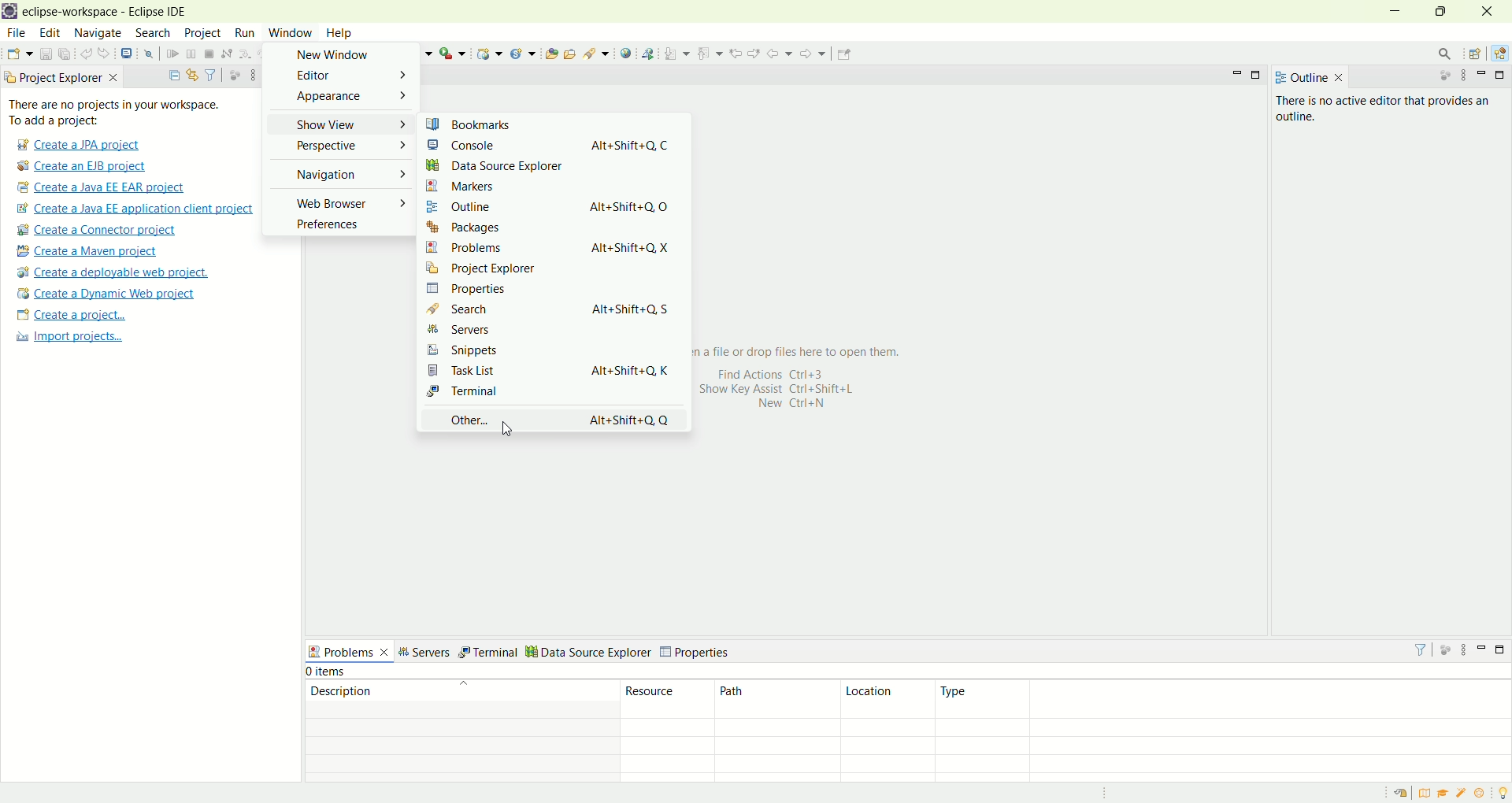 The width and height of the screenshot is (1512, 803). I want to click on project explorer, so click(61, 78).